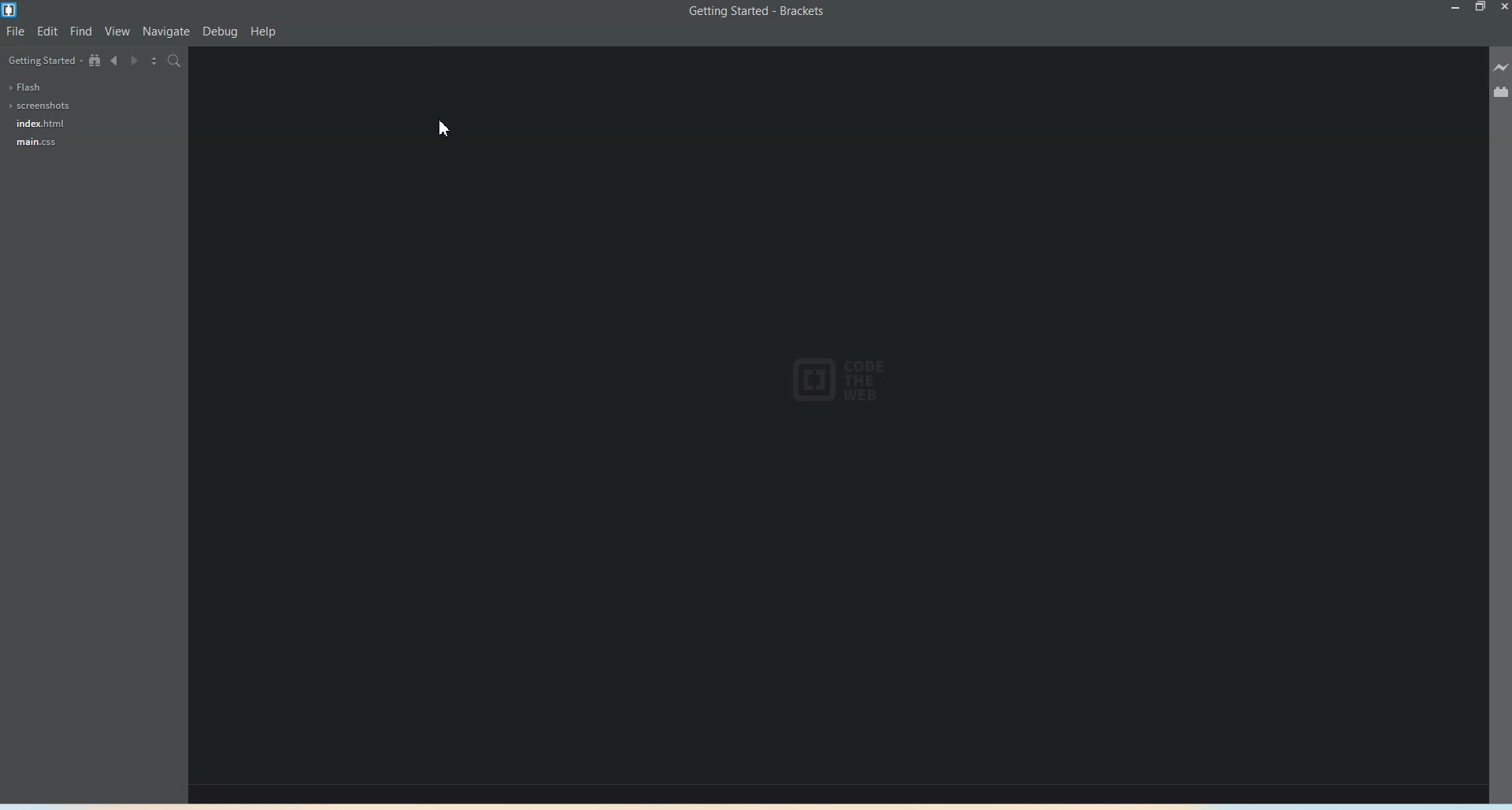 The width and height of the screenshot is (1512, 810). What do you see at coordinates (1481, 9) in the screenshot?
I see `Maximize` at bounding box center [1481, 9].